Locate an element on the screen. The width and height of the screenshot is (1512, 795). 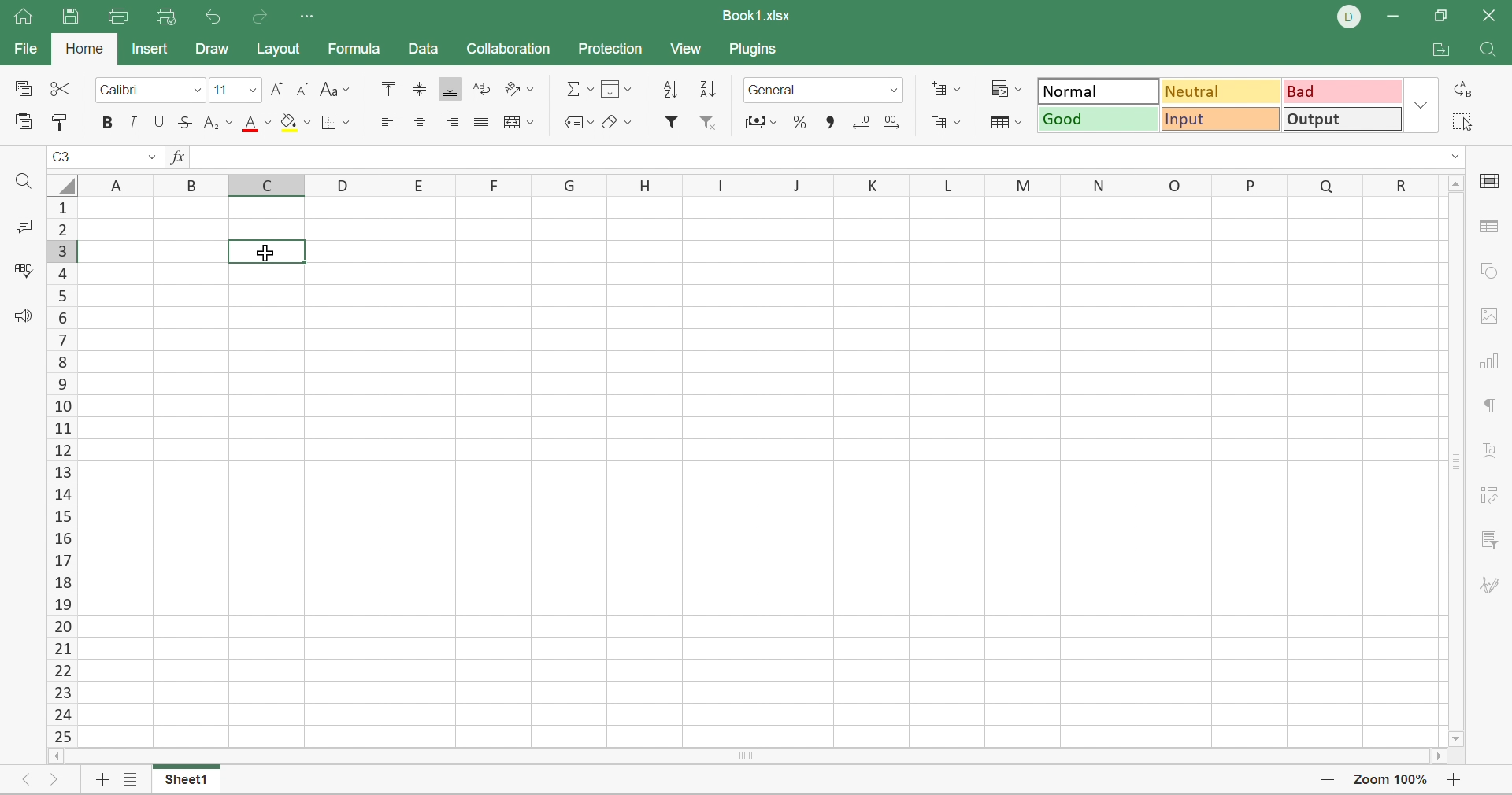
signature settings is located at coordinates (1492, 584).